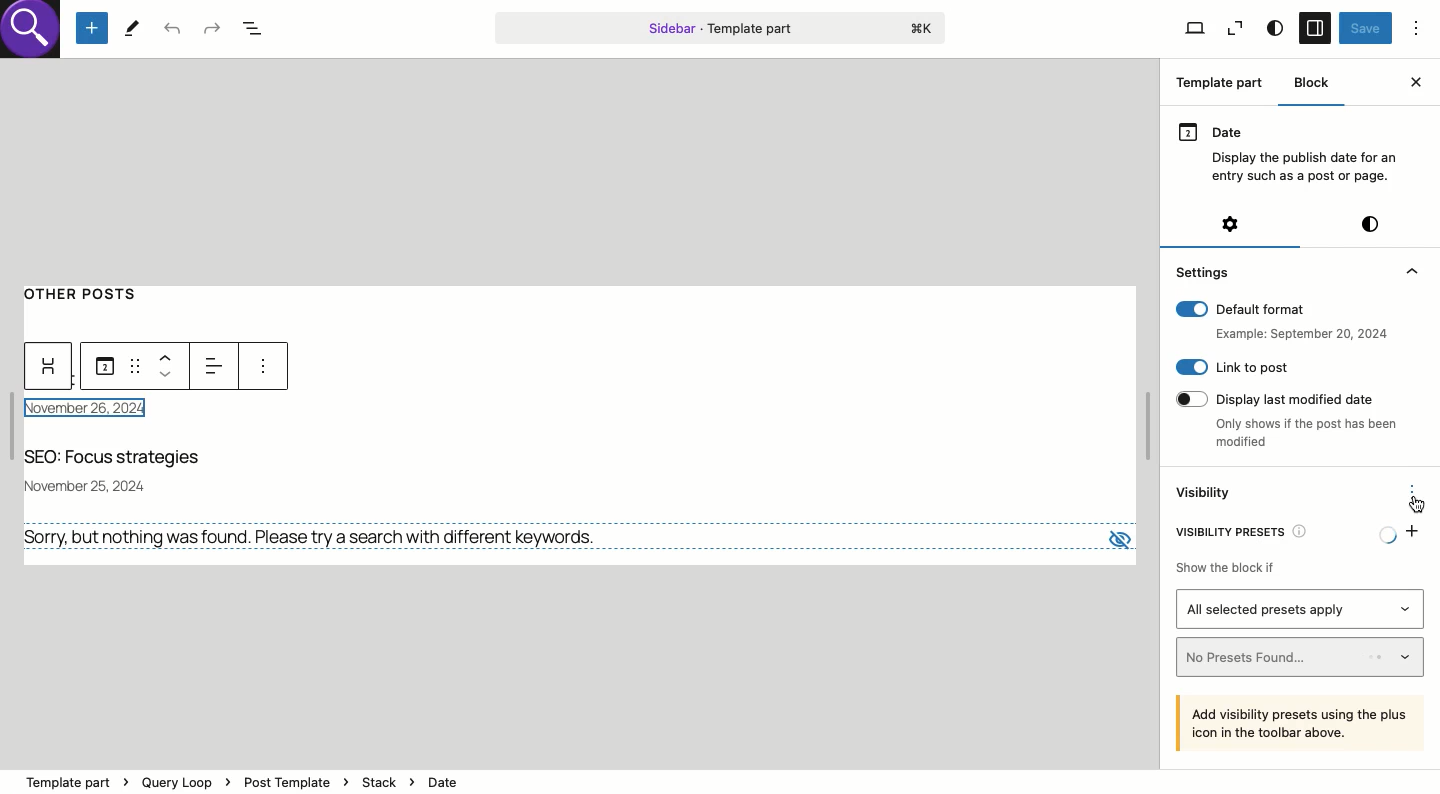  I want to click on Left alignment, so click(217, 363).